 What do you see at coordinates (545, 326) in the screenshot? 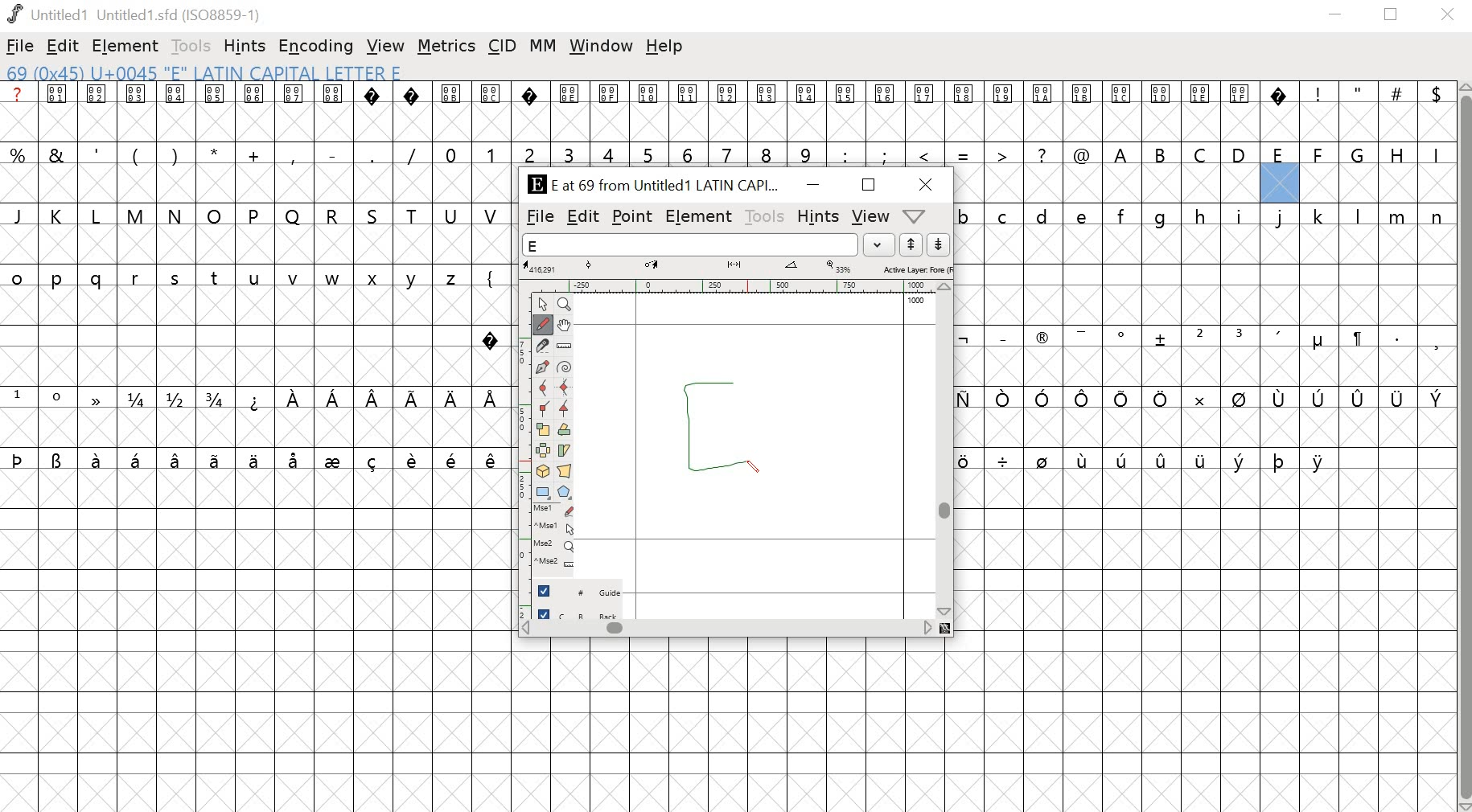
I see `Freehand` at bounding box center [545, 326].